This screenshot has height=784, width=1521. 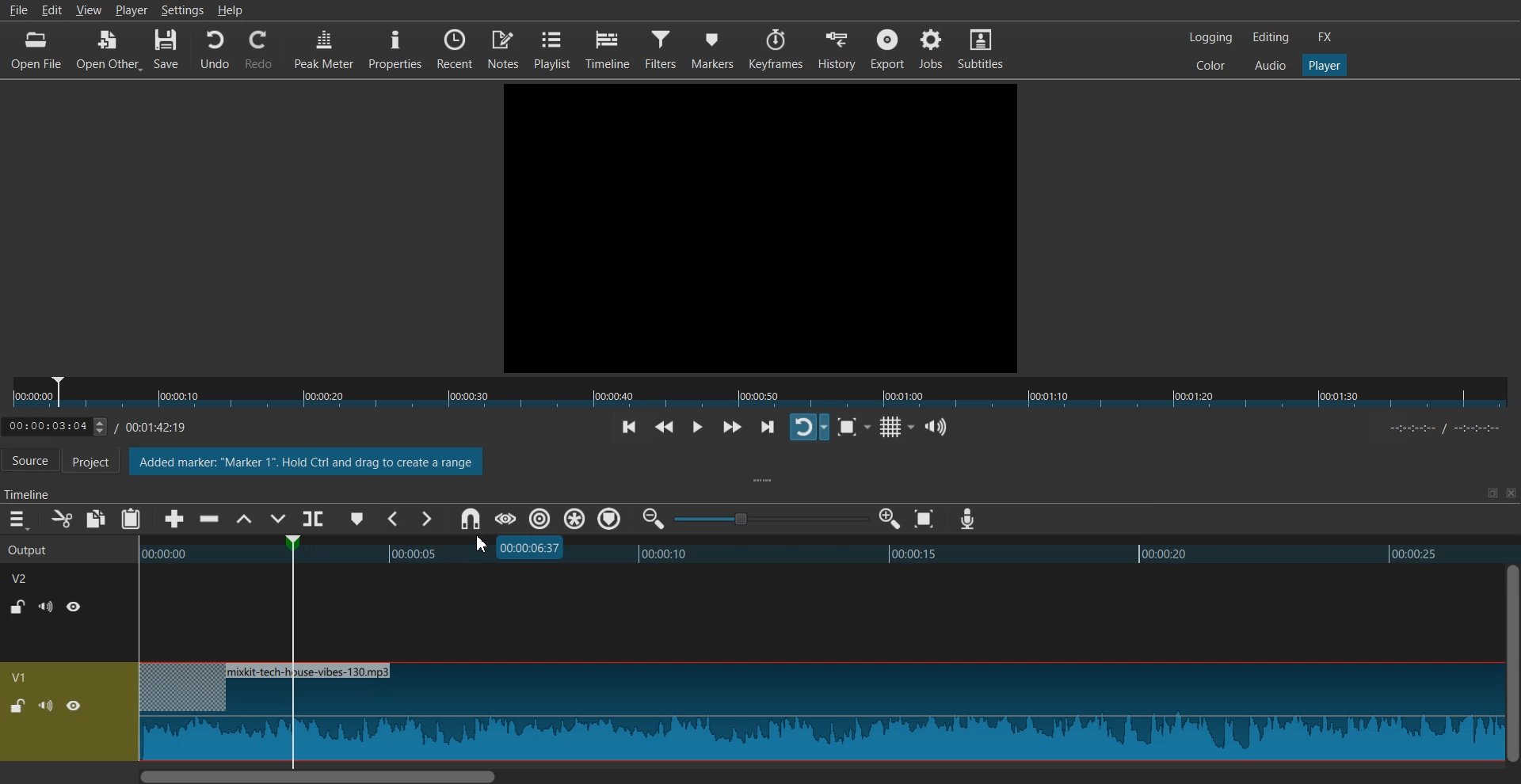 What do you see at coordinates (1492, 493) in the screenshot?
I see `Maximize` at bounding box center [1492, 493].